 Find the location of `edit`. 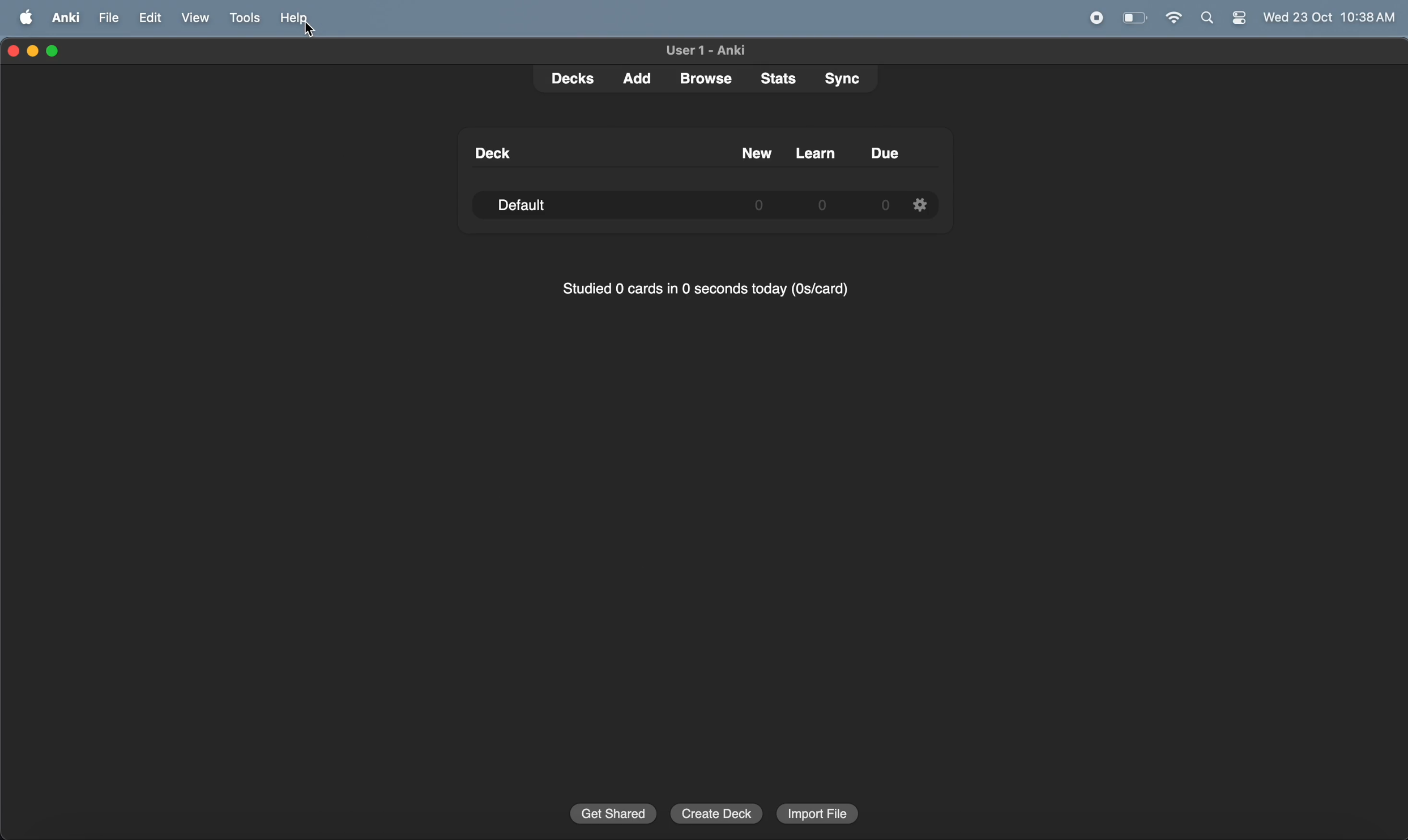

edit is located at coordinates (148, 18).